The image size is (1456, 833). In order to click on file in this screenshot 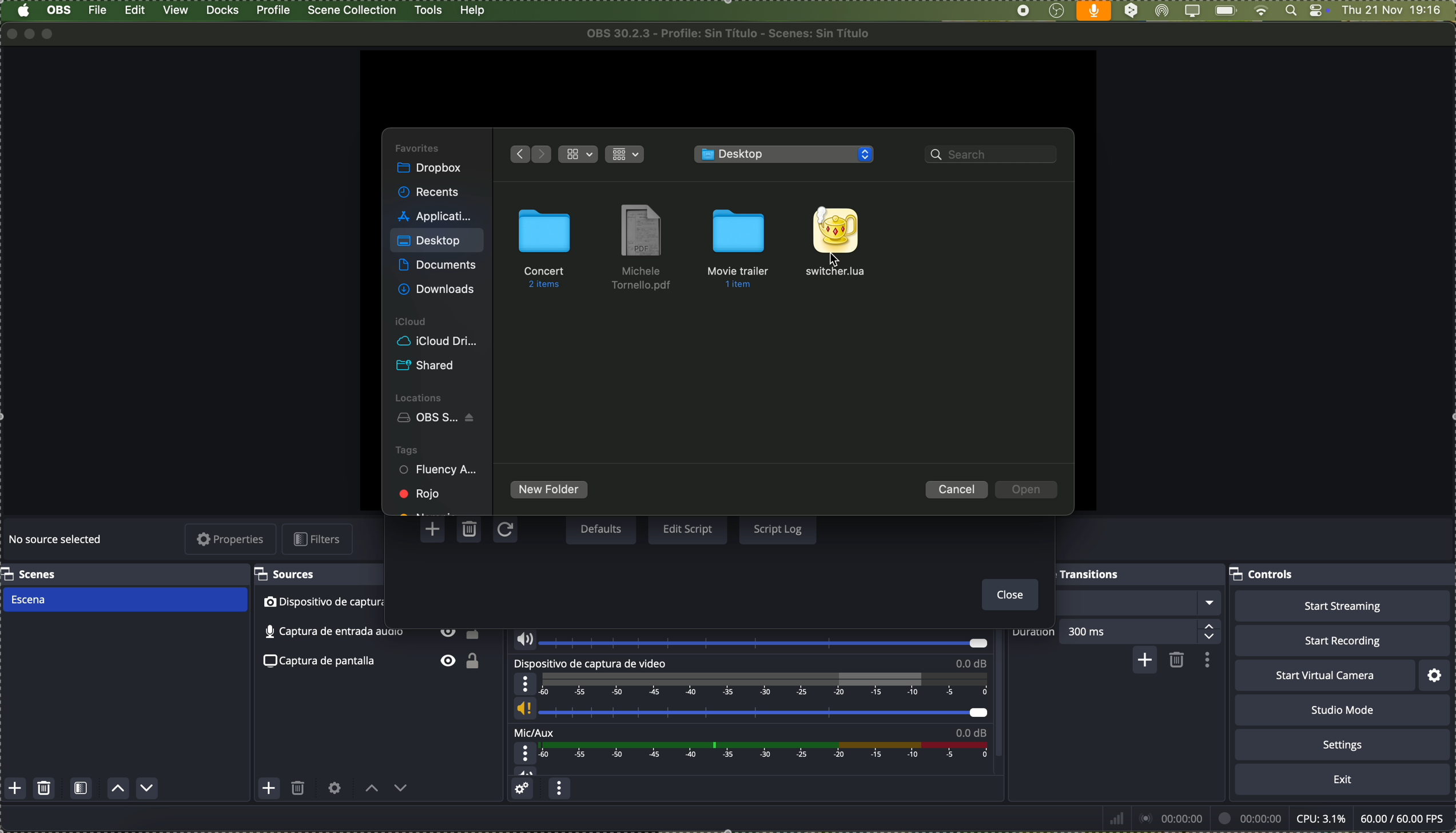, I will do `click(642, 248)`.